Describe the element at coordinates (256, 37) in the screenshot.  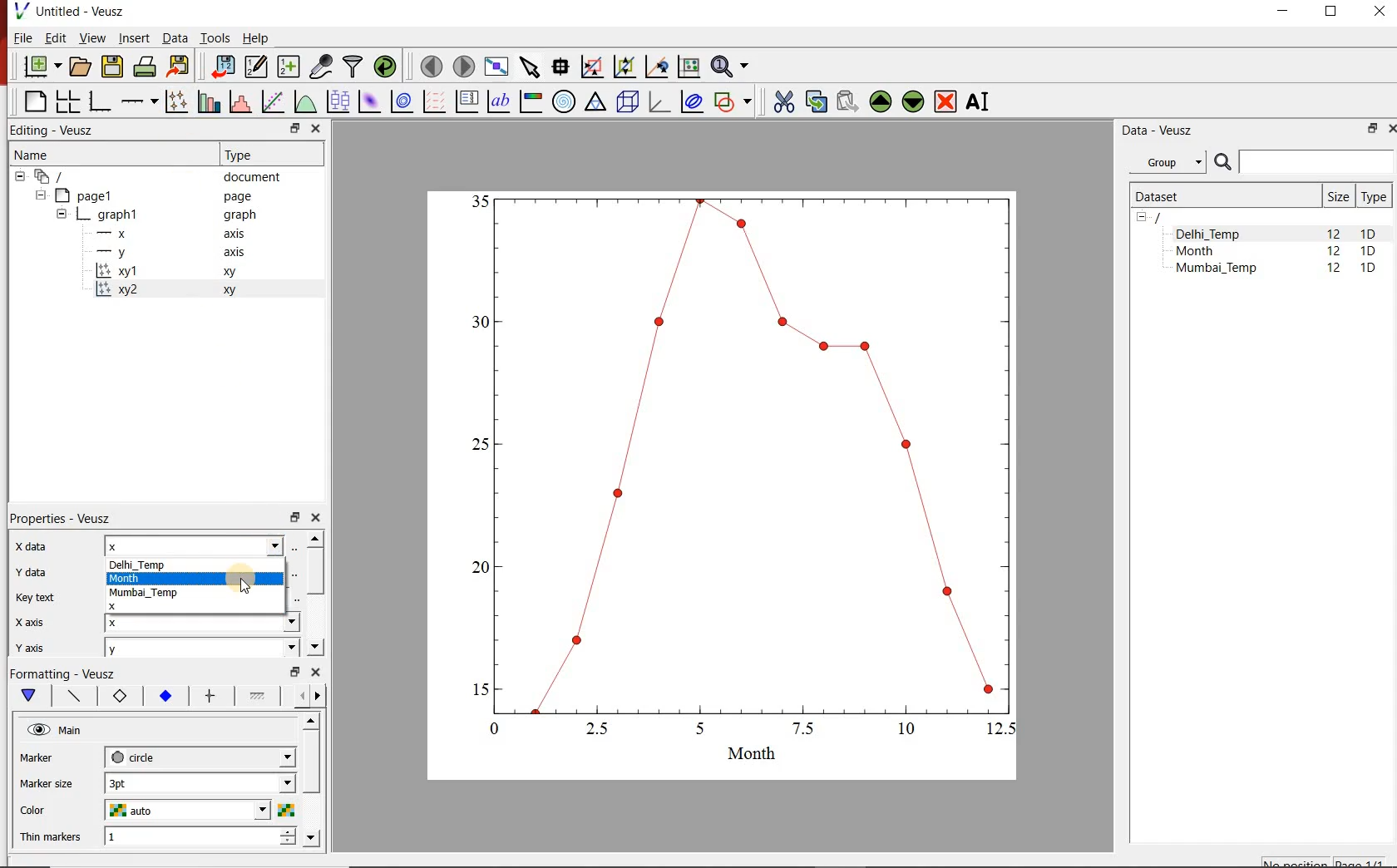
I see `Help` at that location.